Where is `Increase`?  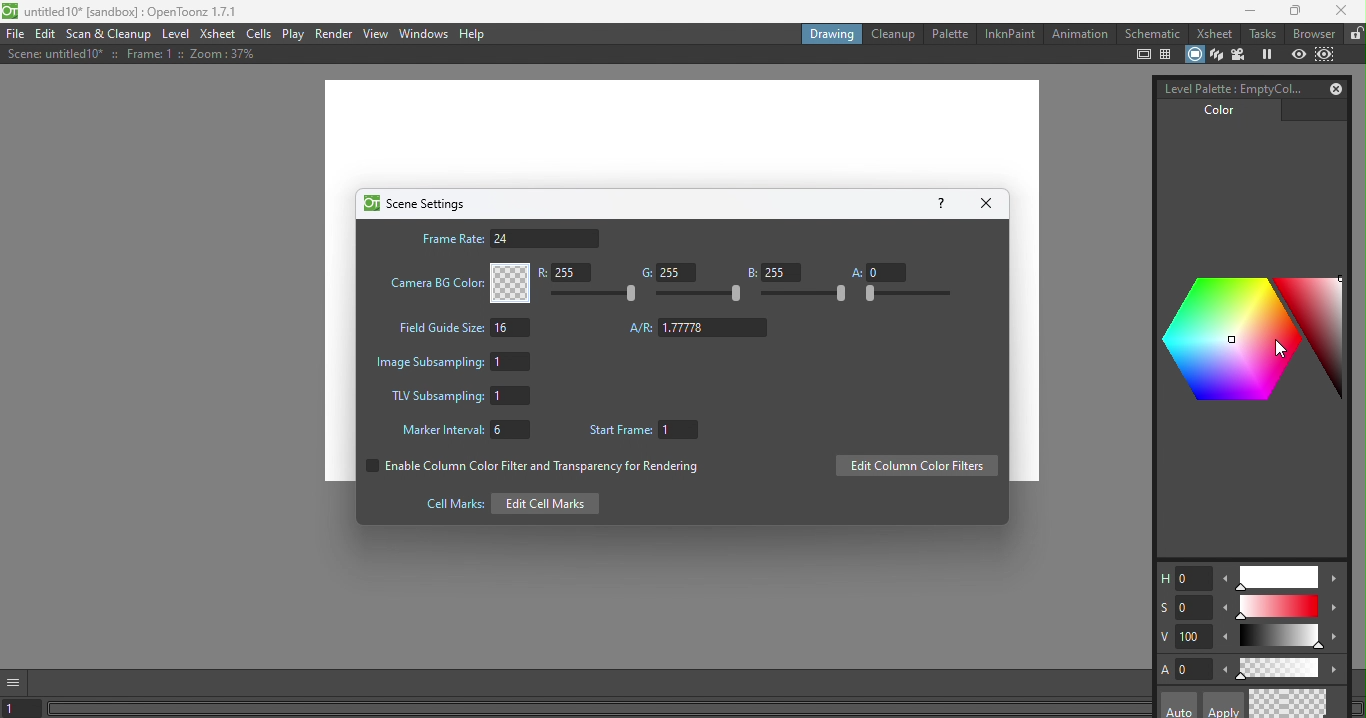 Increase is located at coordinates (1337, 670).